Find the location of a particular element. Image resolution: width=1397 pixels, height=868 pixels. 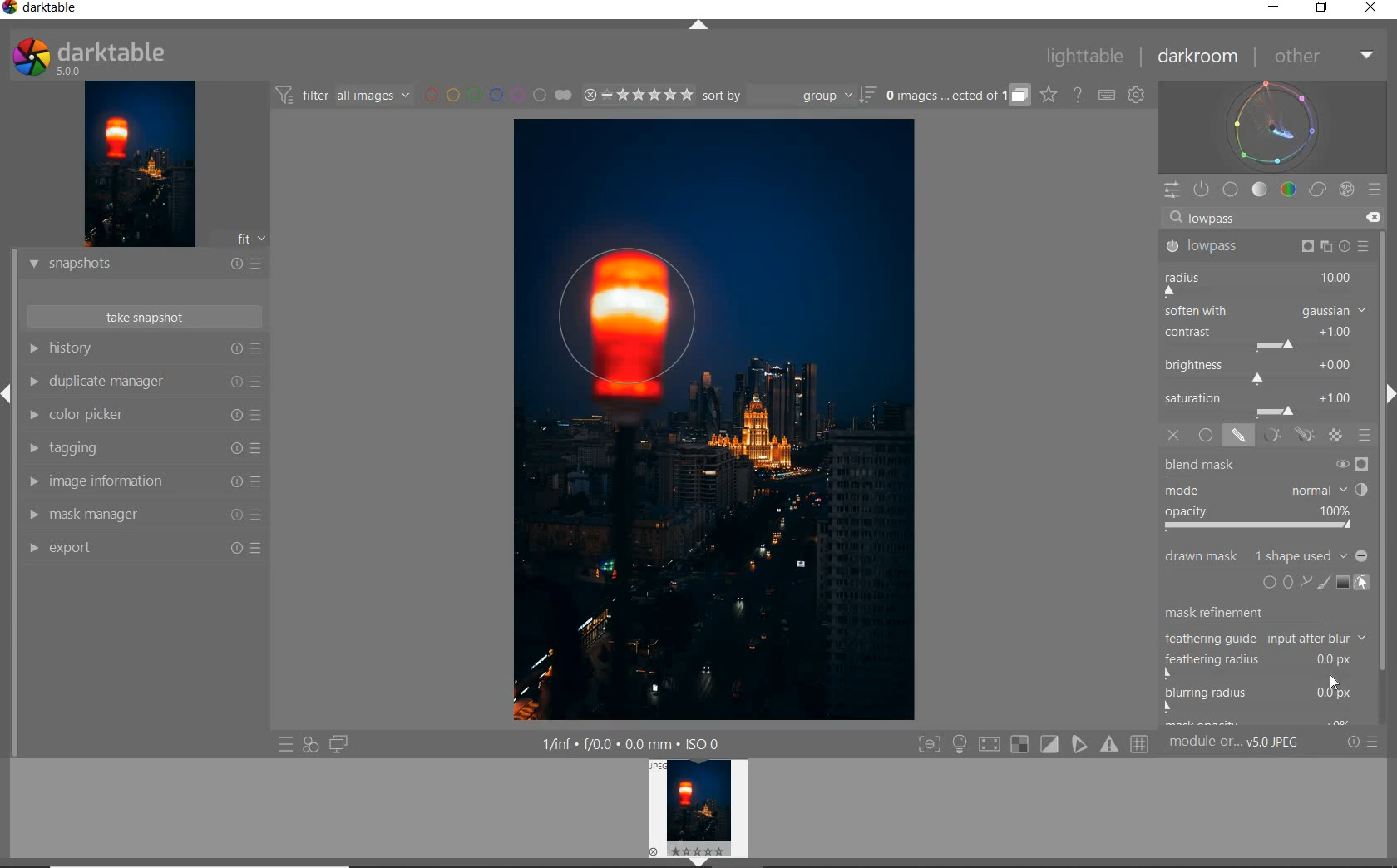

HELP ONLINE is located at coordinates (1077, 94).